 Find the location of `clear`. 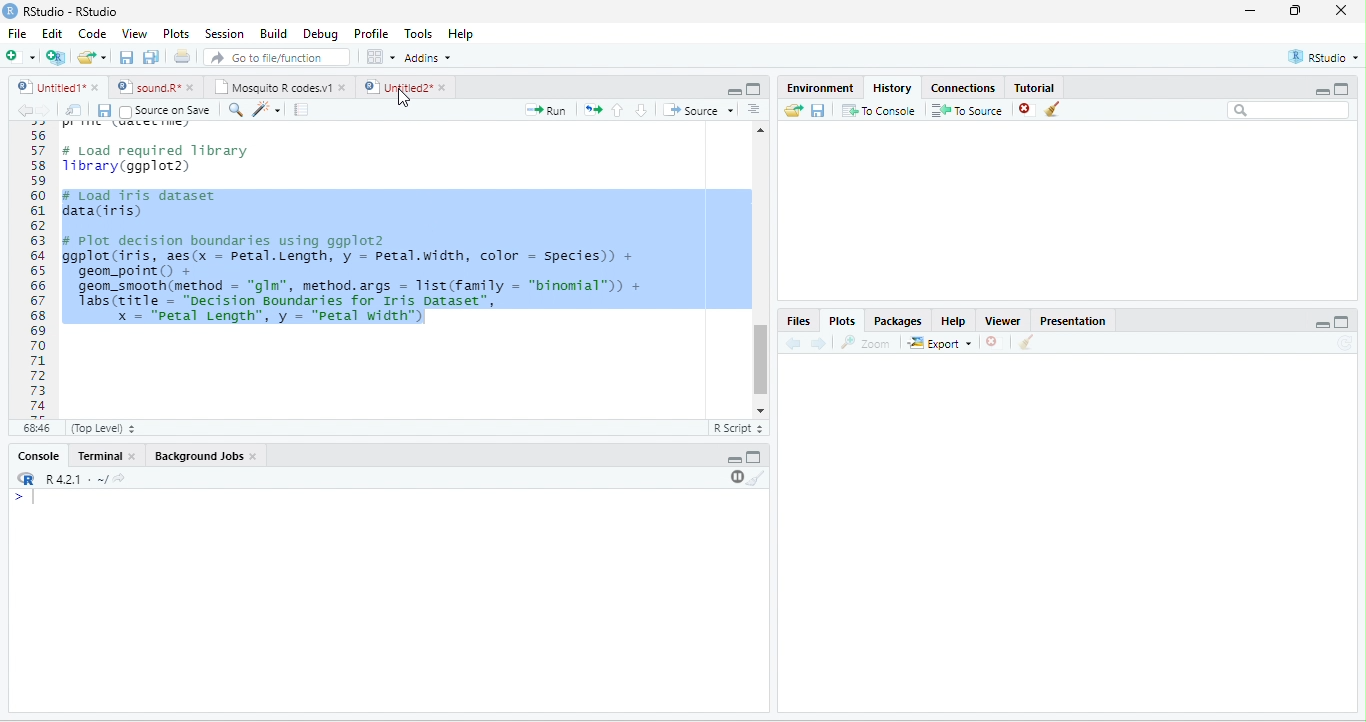

clear is located at coordinates (1027, 342).